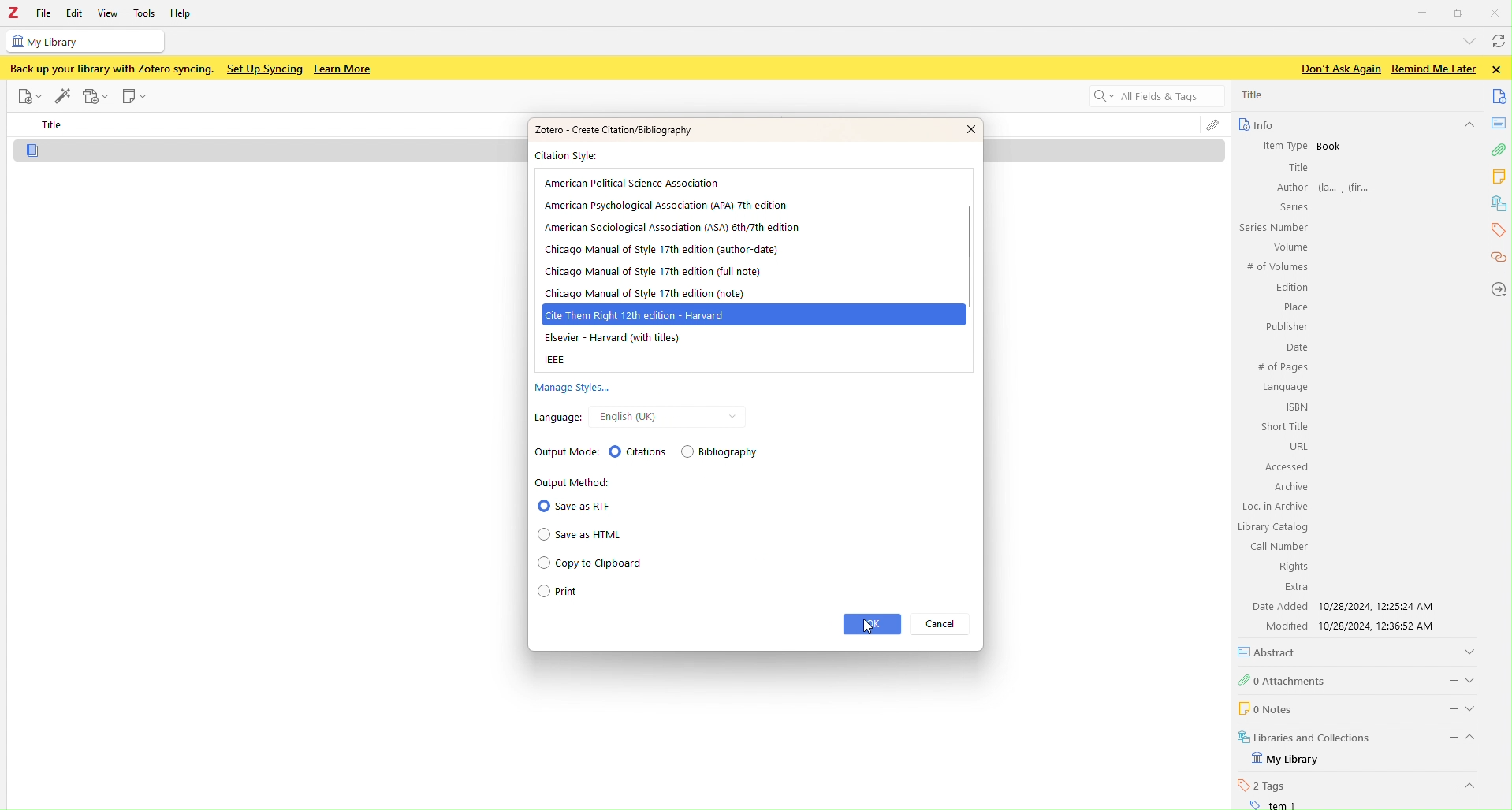  Describe the element at coordinates (1423, 11) in the screenshot. I see `Minimize` at that location.